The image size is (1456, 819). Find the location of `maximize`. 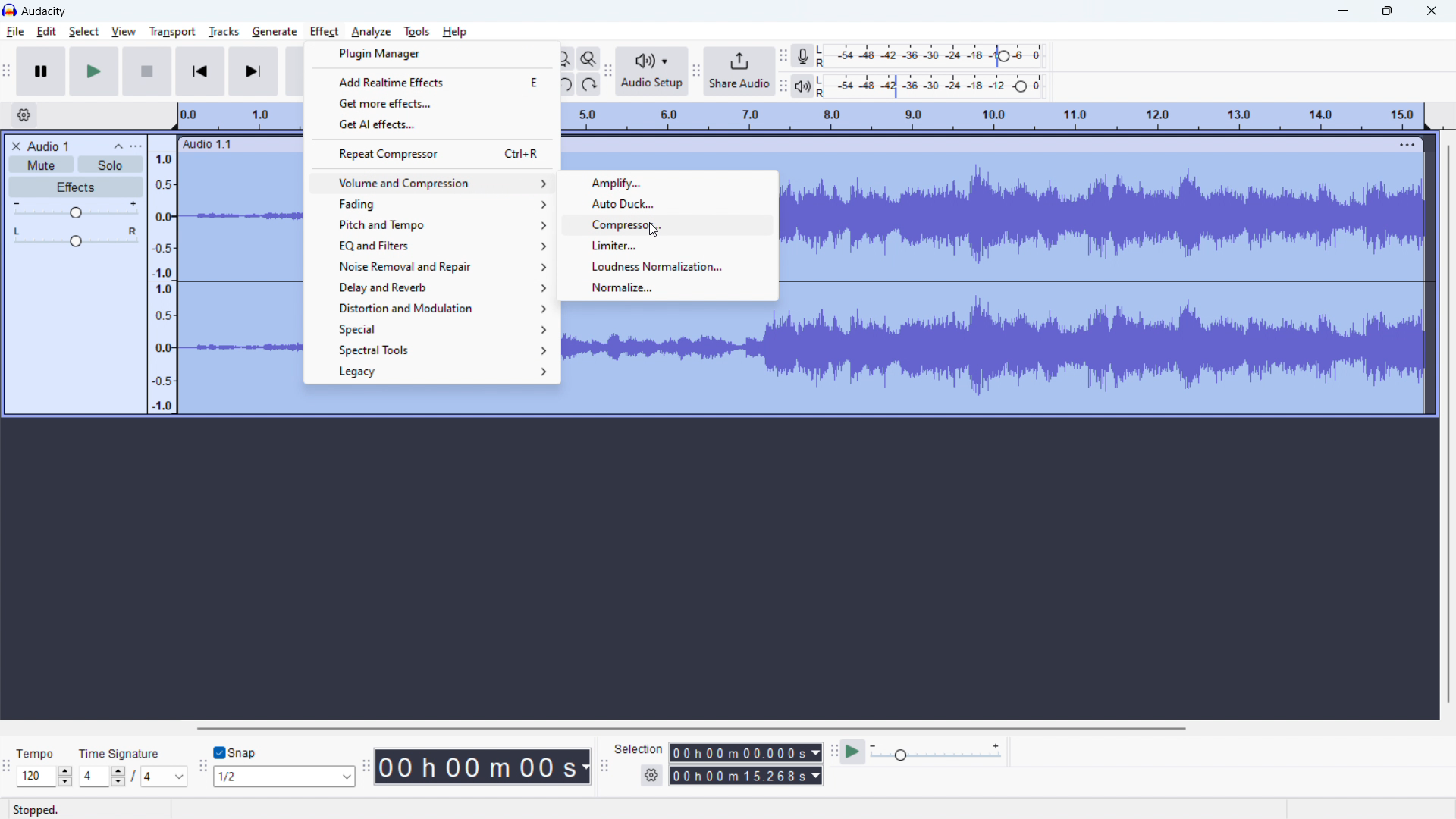

maximize is located at coordinates (1388, 11).